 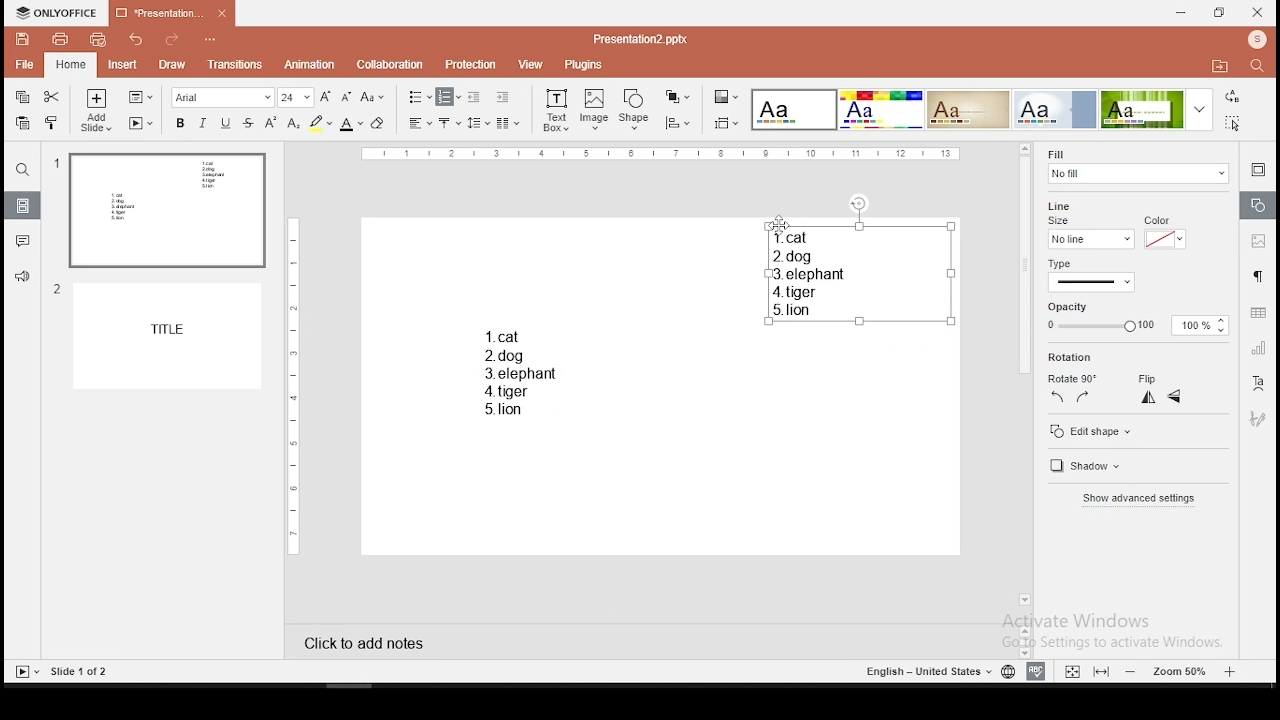 I want to click on line size, so click(x=1089, y=239).